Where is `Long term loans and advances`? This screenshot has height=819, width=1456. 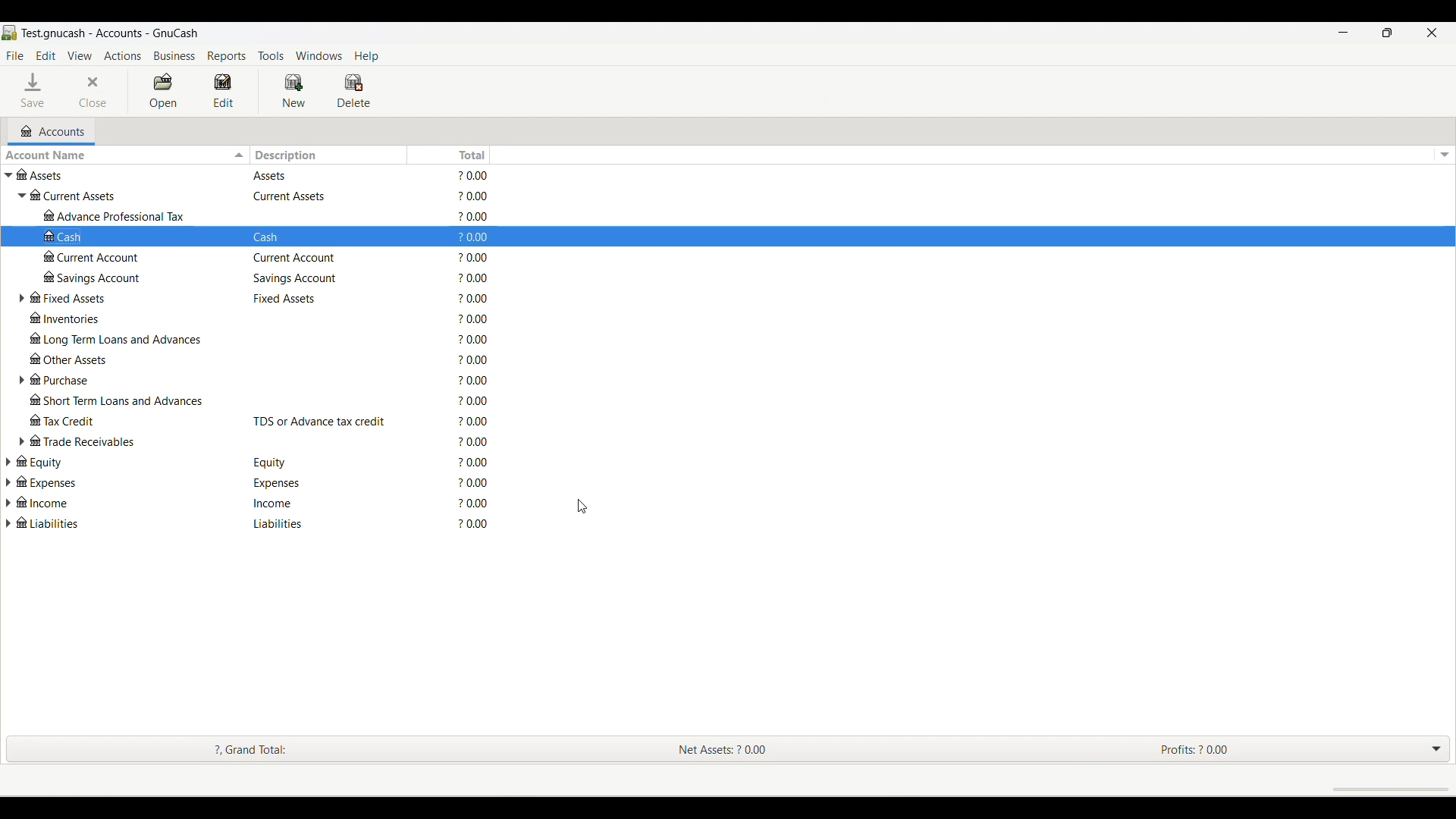
Long term loans and advances is located at coordinates (127, 339).